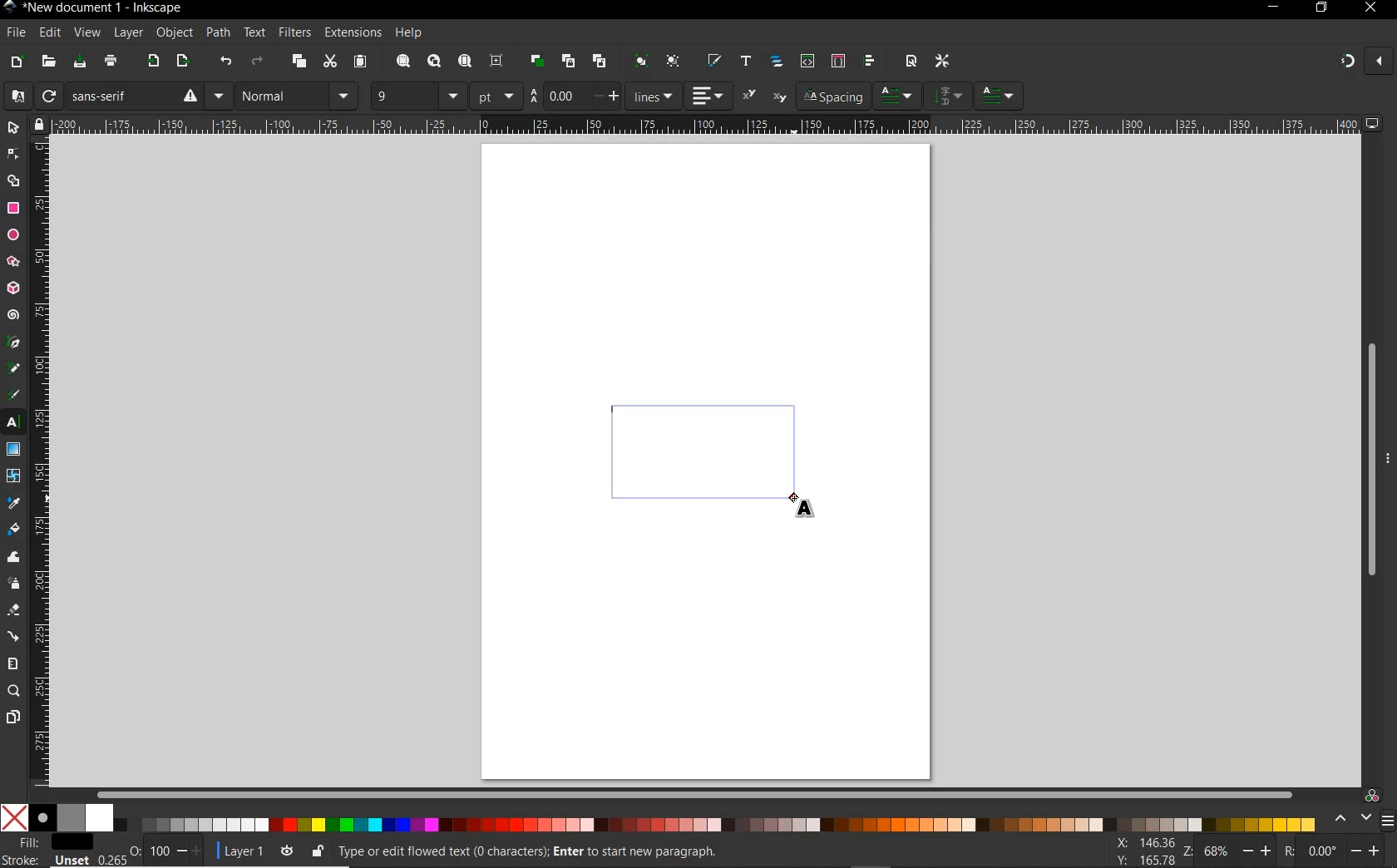 The image size is (1397, 868). What do you see at coordinates (1259, 850) in the screenshot?
I see `increase/decrease` at bounding box center [1259, 850].